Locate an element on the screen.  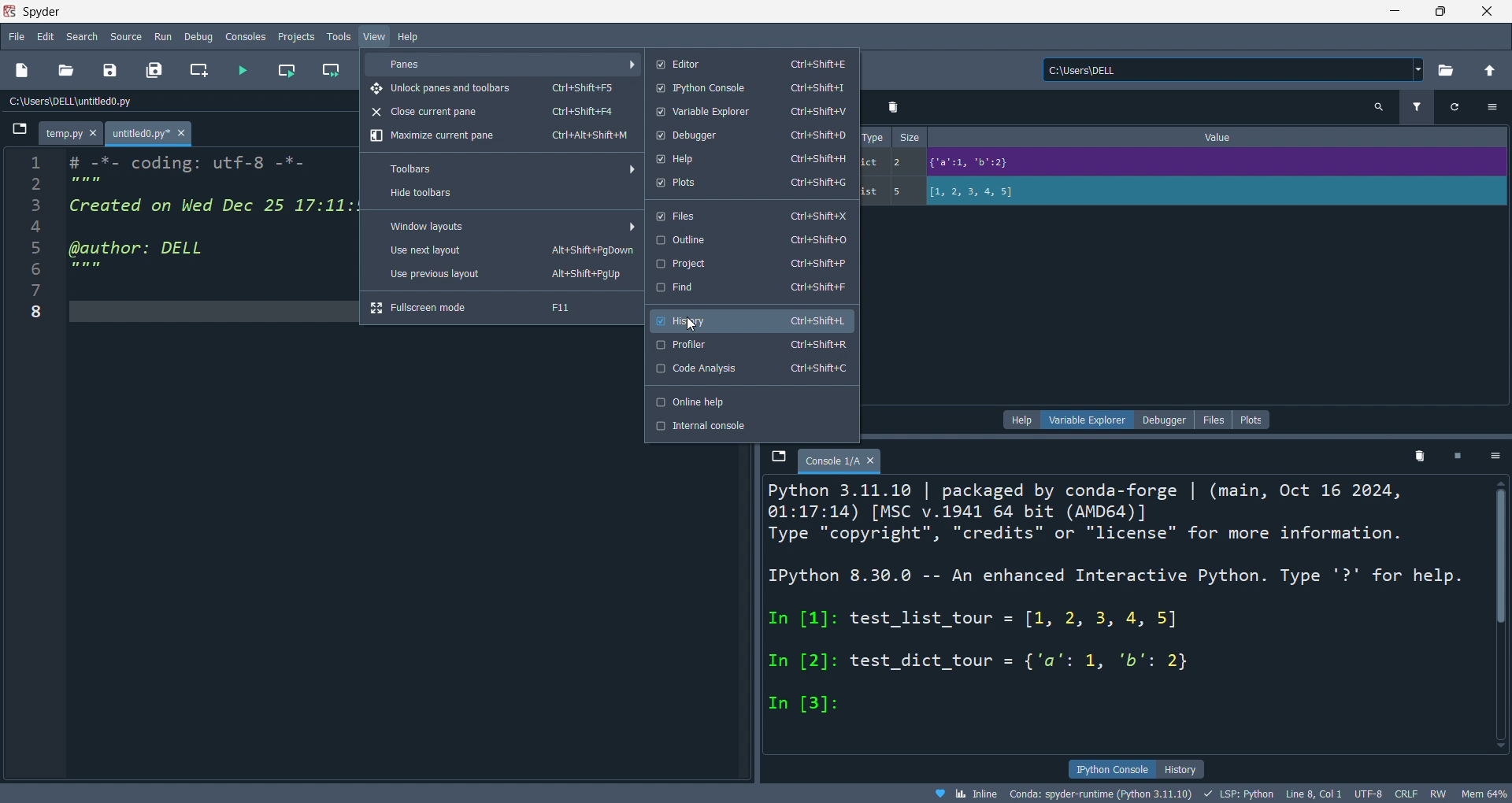
close current pane is located at coordinates (496, 113).